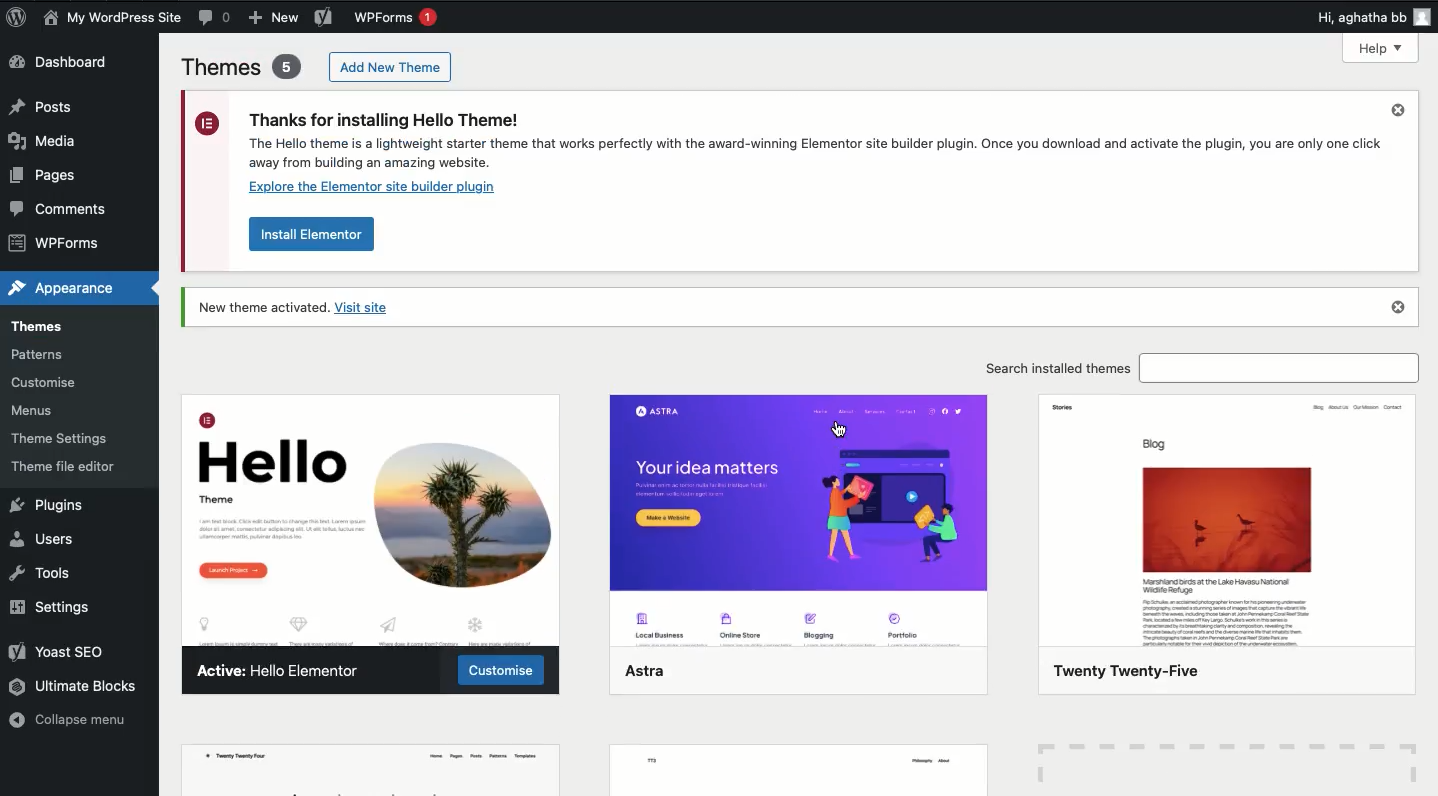 This screenshot has height=796, width=1438. Describe the element at coordinates (393, 67) in the screenshot. I see `Add new theme` at that location.